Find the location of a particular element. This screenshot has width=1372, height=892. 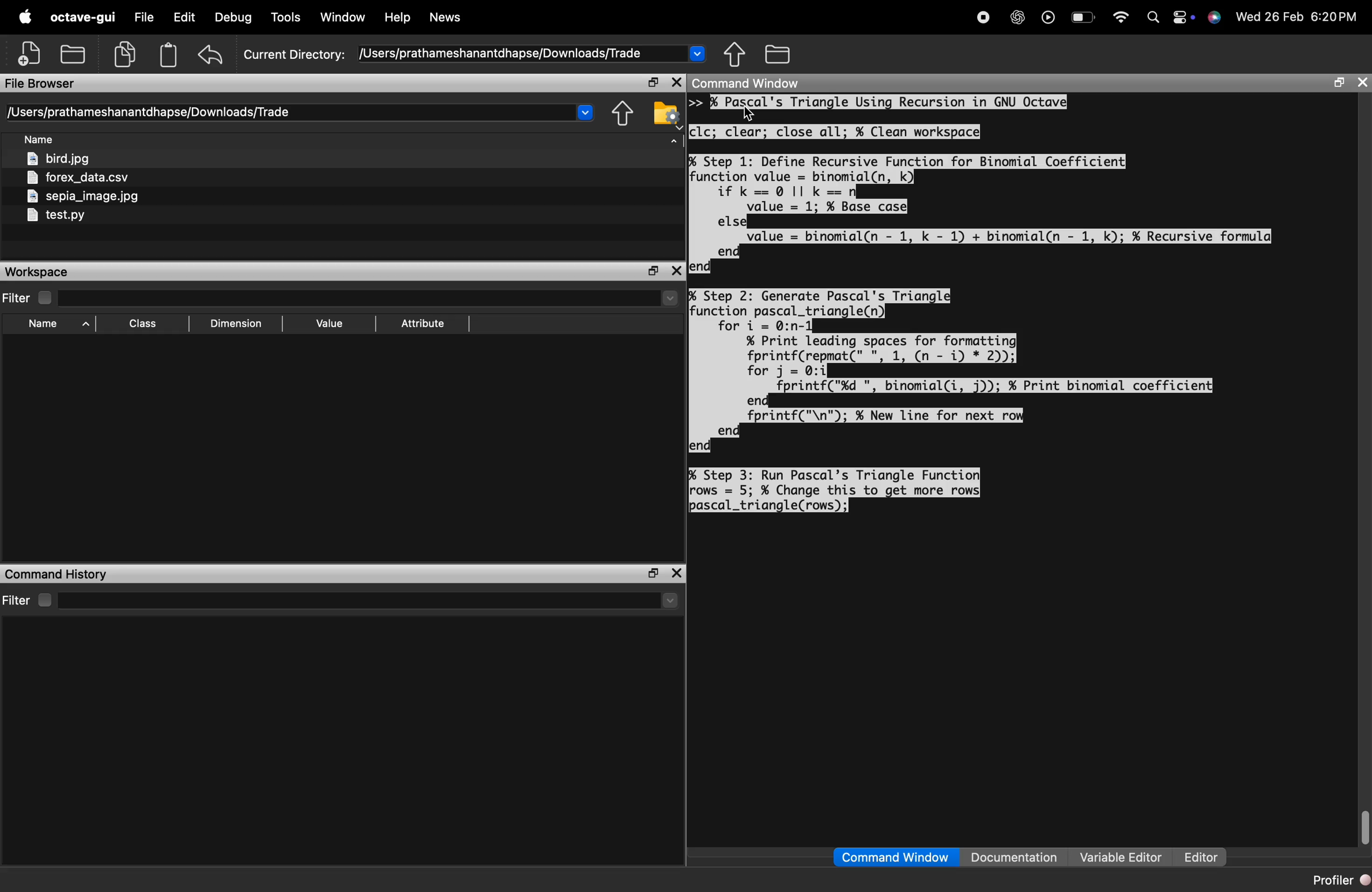

Name is located at coordinates (41, 140).